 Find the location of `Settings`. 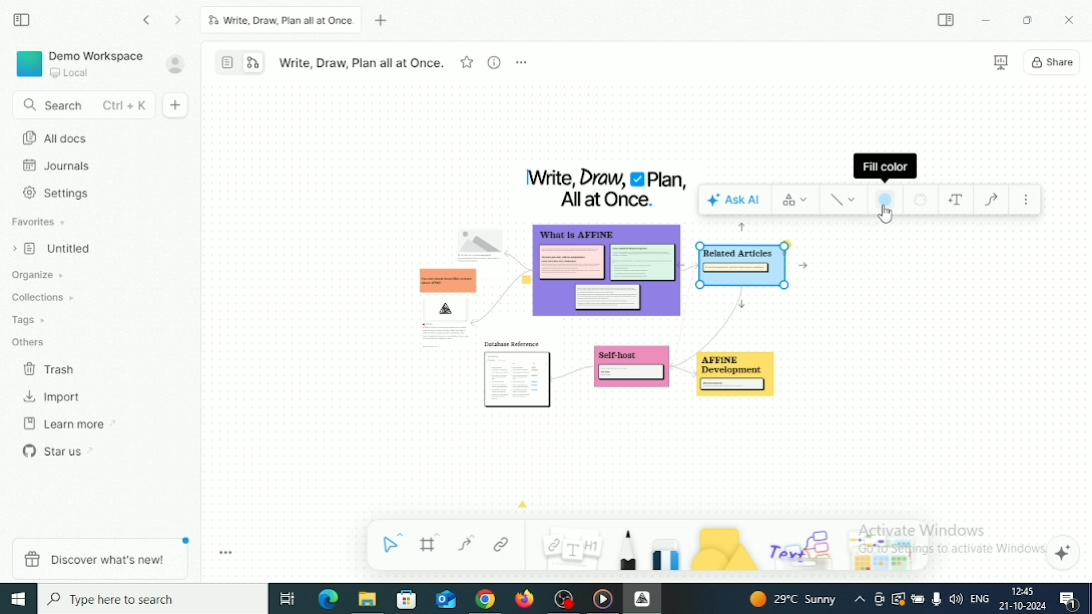

Settings is located at coordinates (59, 193).